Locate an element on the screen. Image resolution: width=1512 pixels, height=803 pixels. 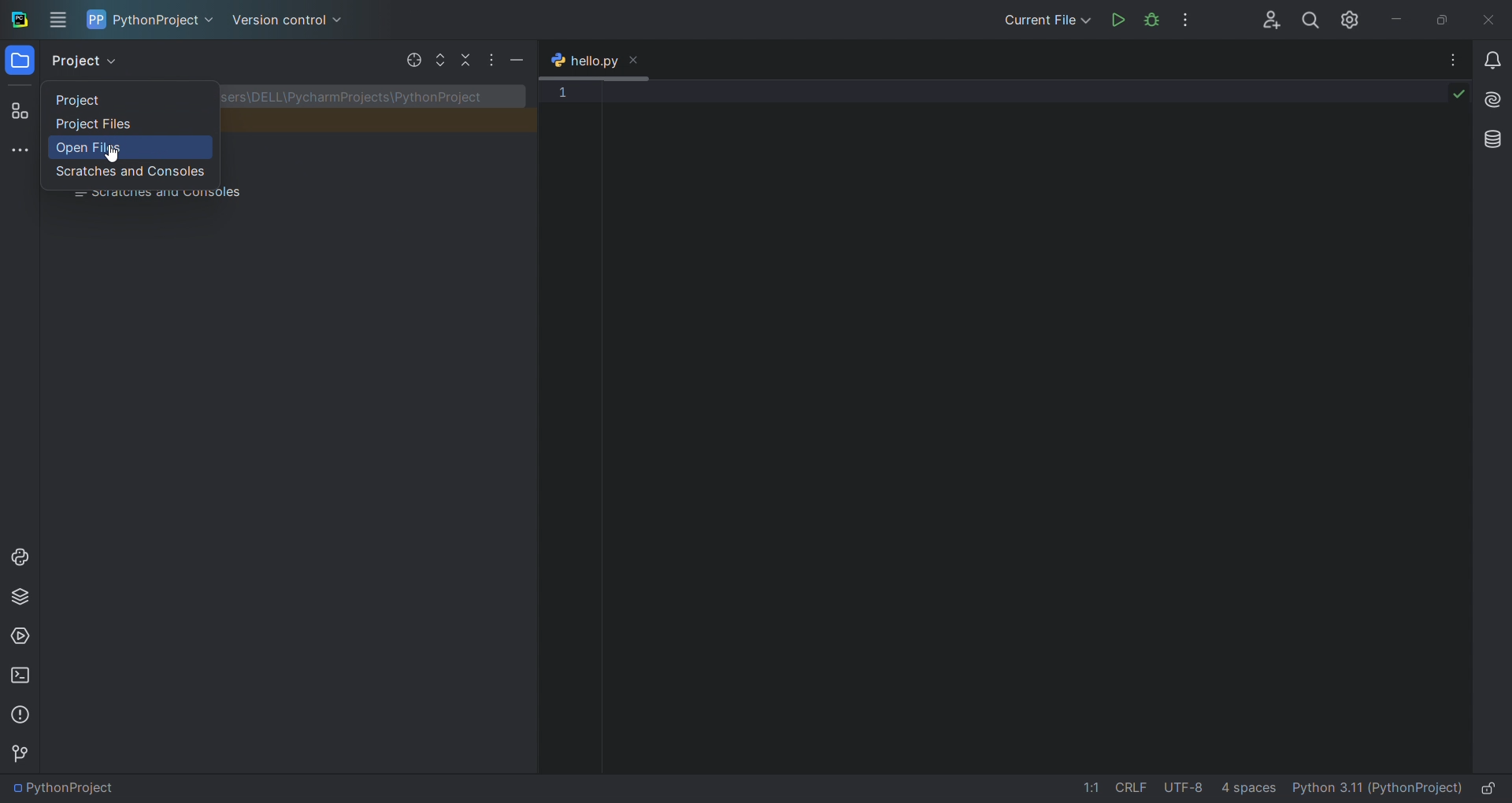
python package is located at coordinates (20, 593).